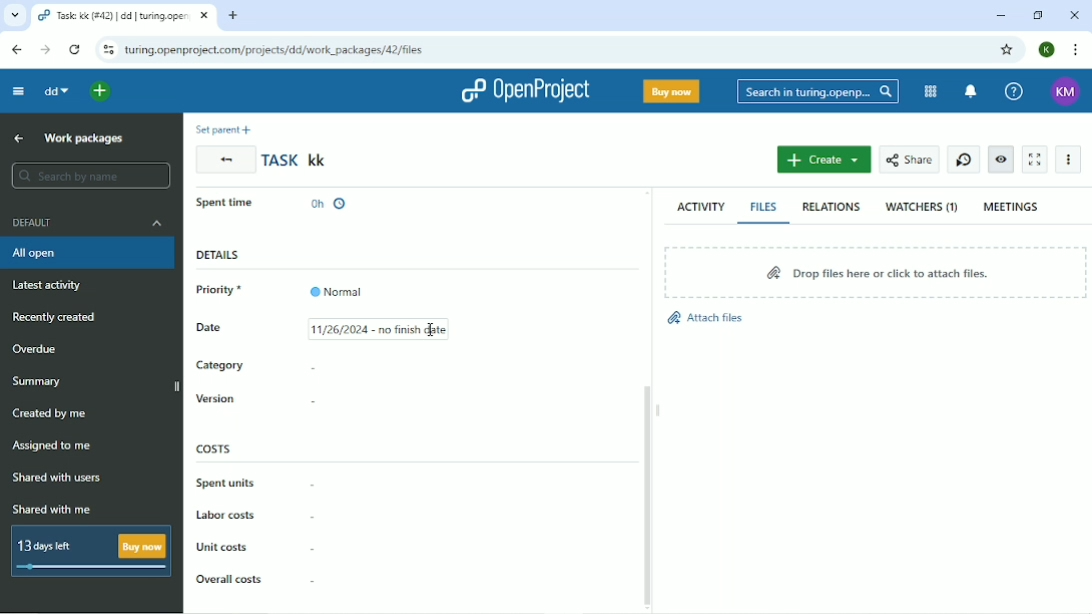  I want to click on Task kk, so click(297, 160).